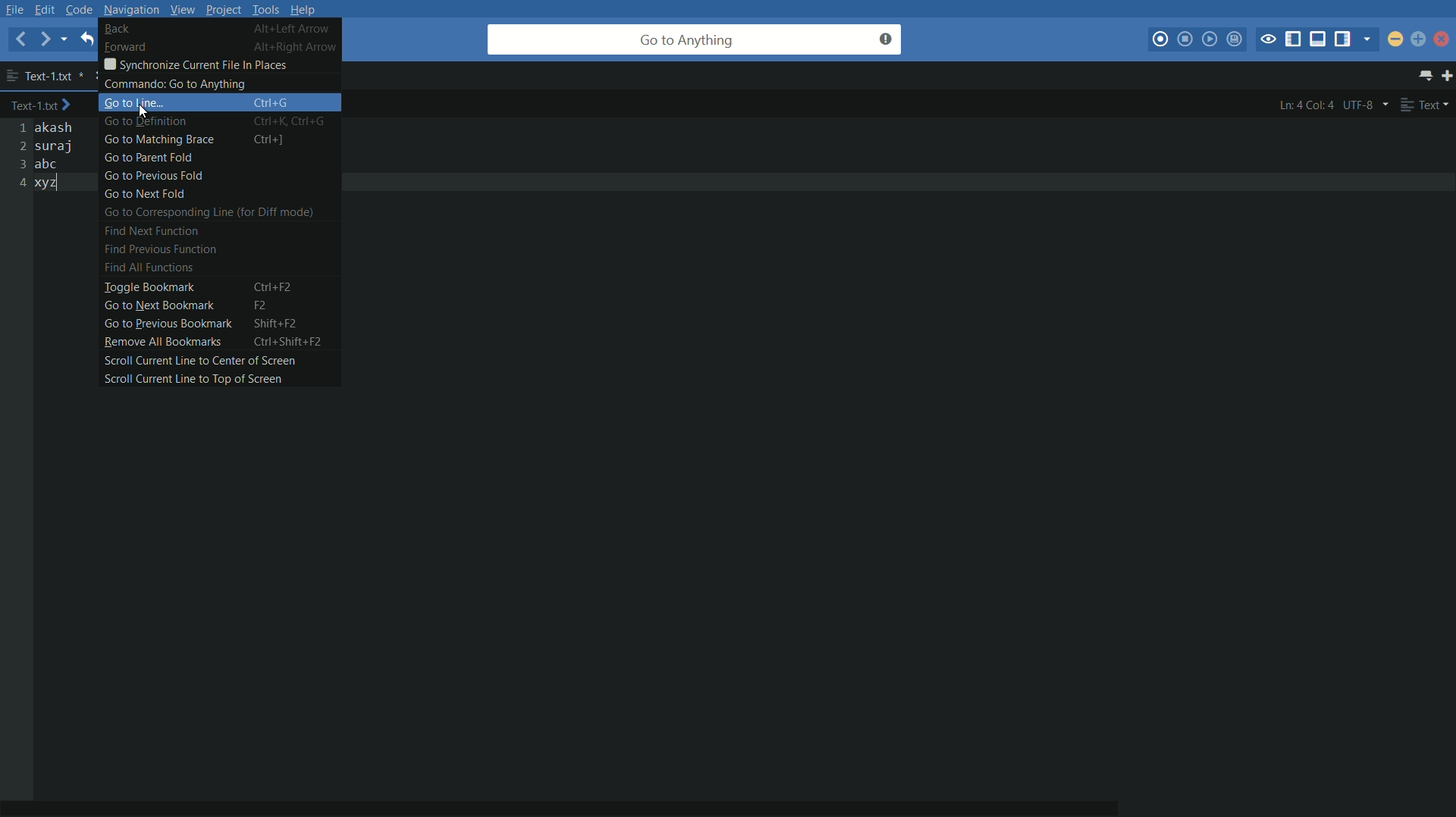  I want to click on text, so click(1426, 105).